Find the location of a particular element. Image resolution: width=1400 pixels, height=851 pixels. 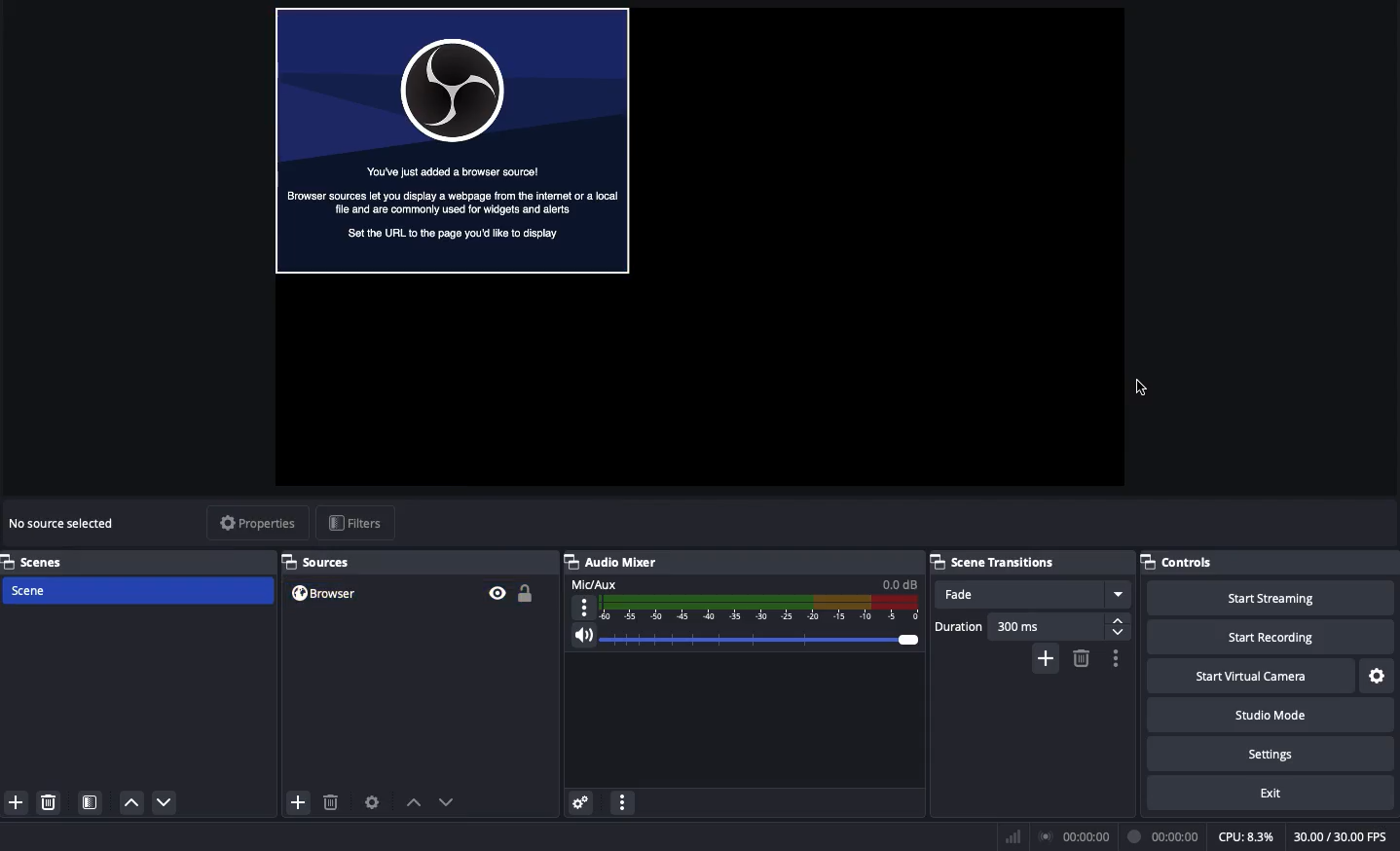

add is located at coordinates (298, 802).